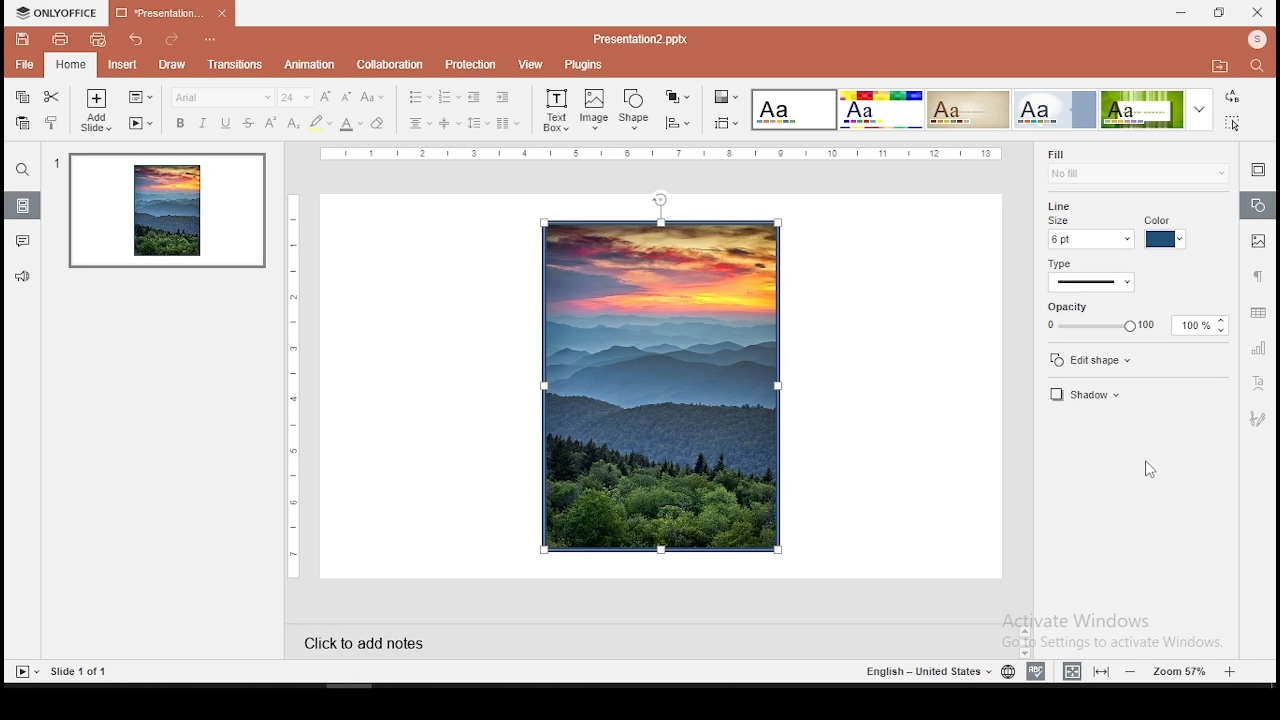 This screenshot has width=1280, height=720. I want to click on vertical alignment, so click(449, 123).